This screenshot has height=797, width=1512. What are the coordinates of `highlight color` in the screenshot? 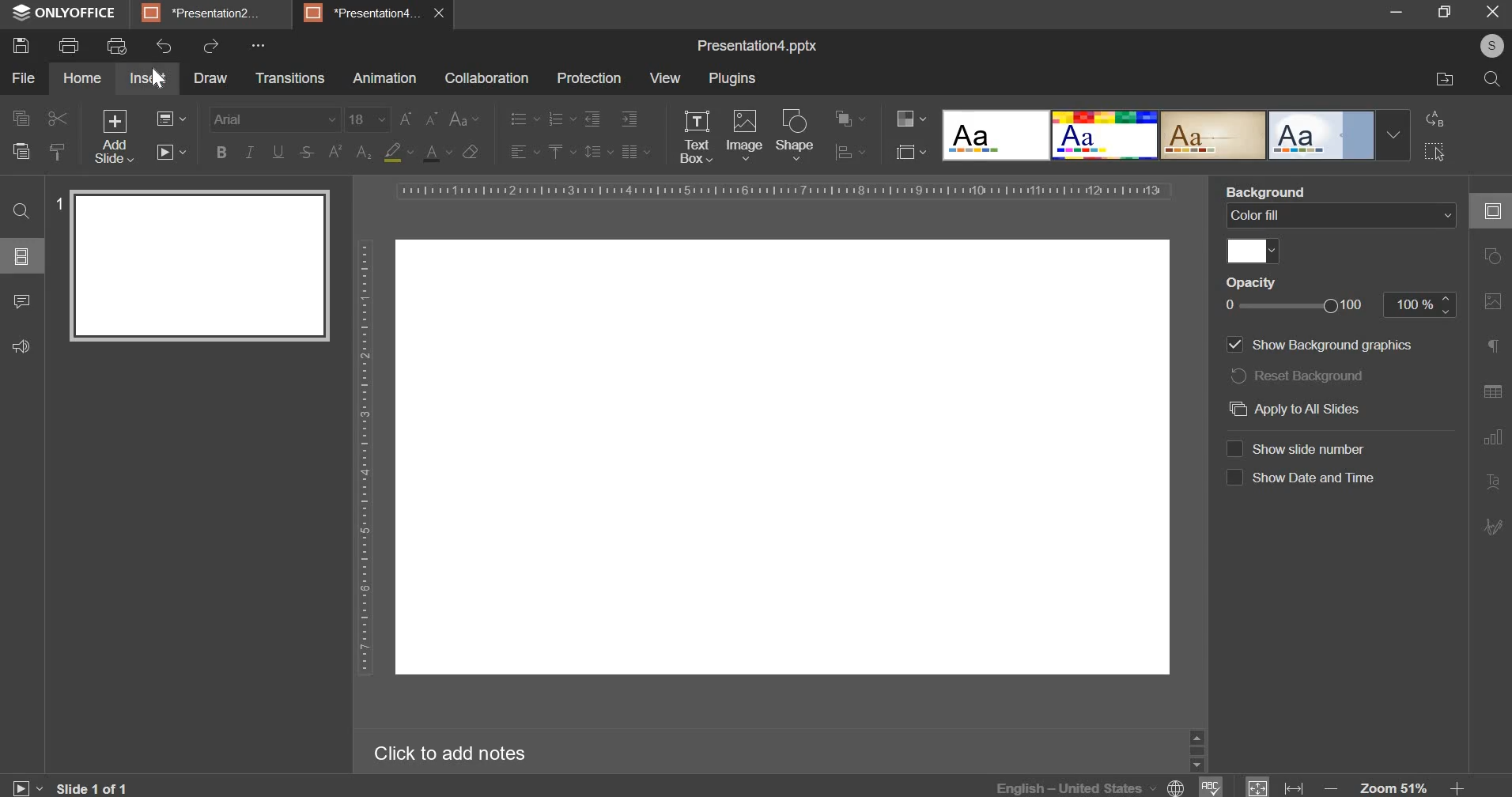 It's located at (399, 152).